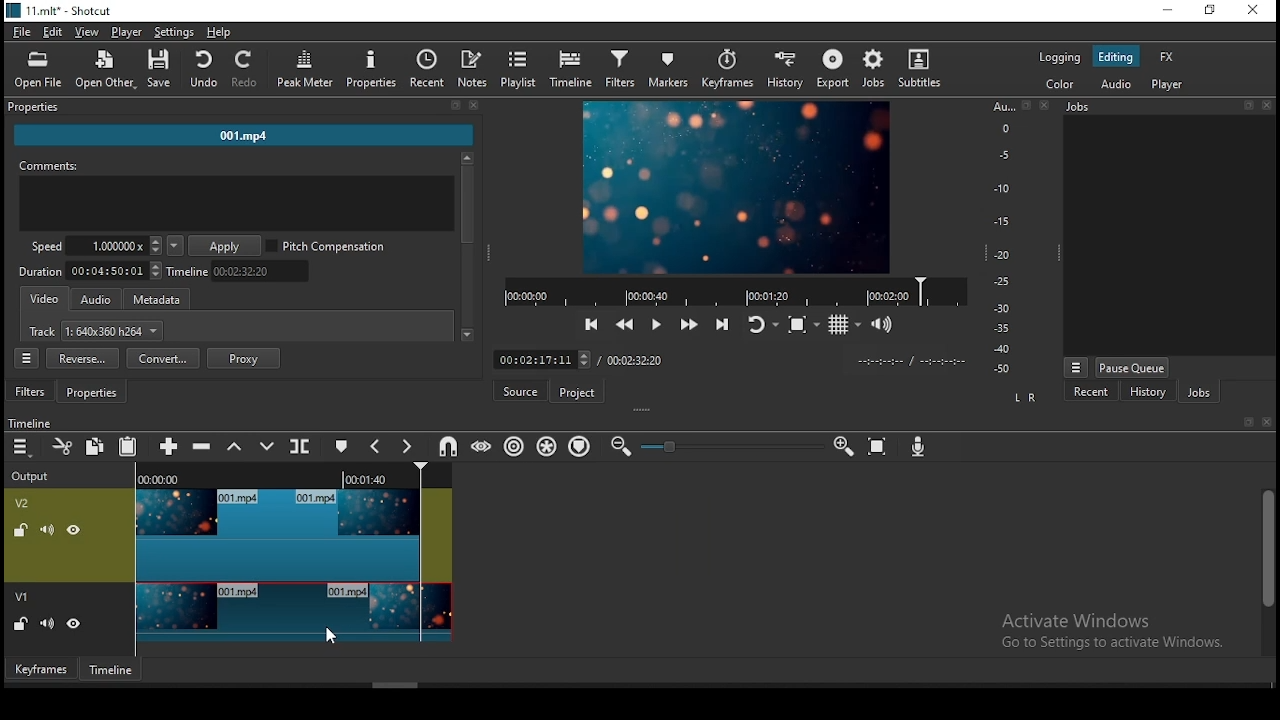 The width and height of the screenshot is (1280, 720). I want to click on skip to previous point, so click(591, 322).